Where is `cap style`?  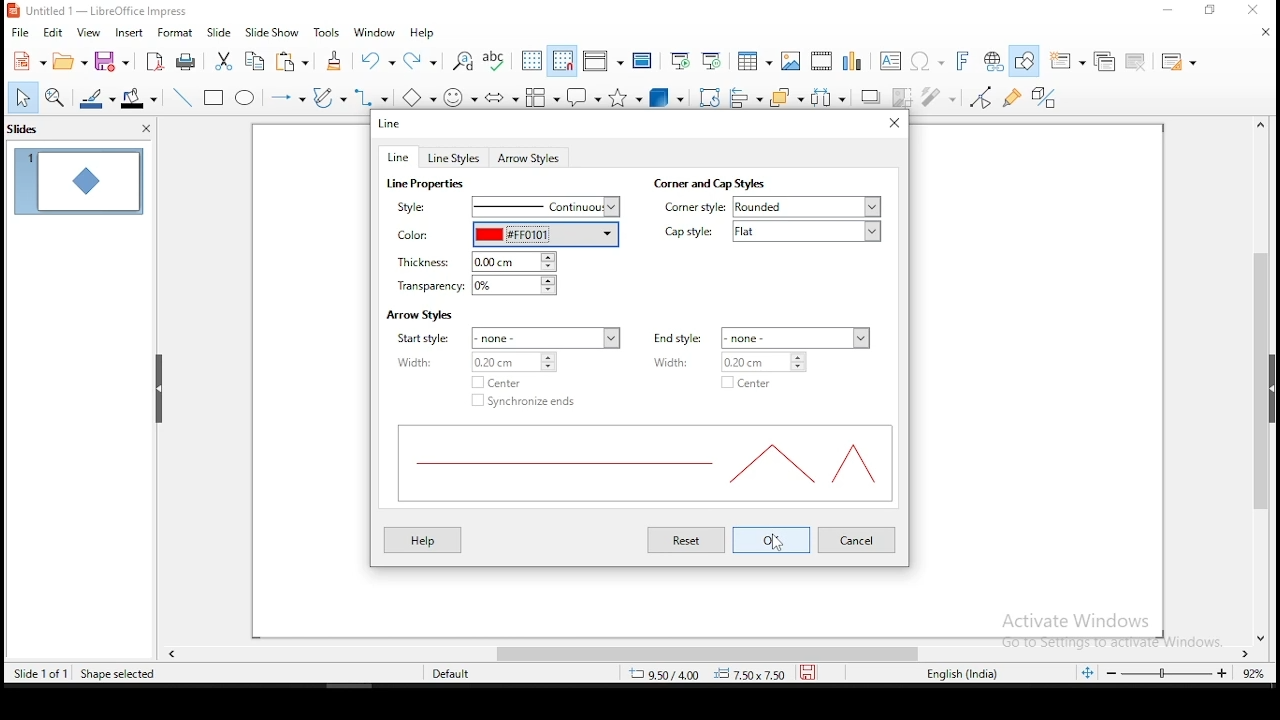 cap style is located at coordinates (693, 232).